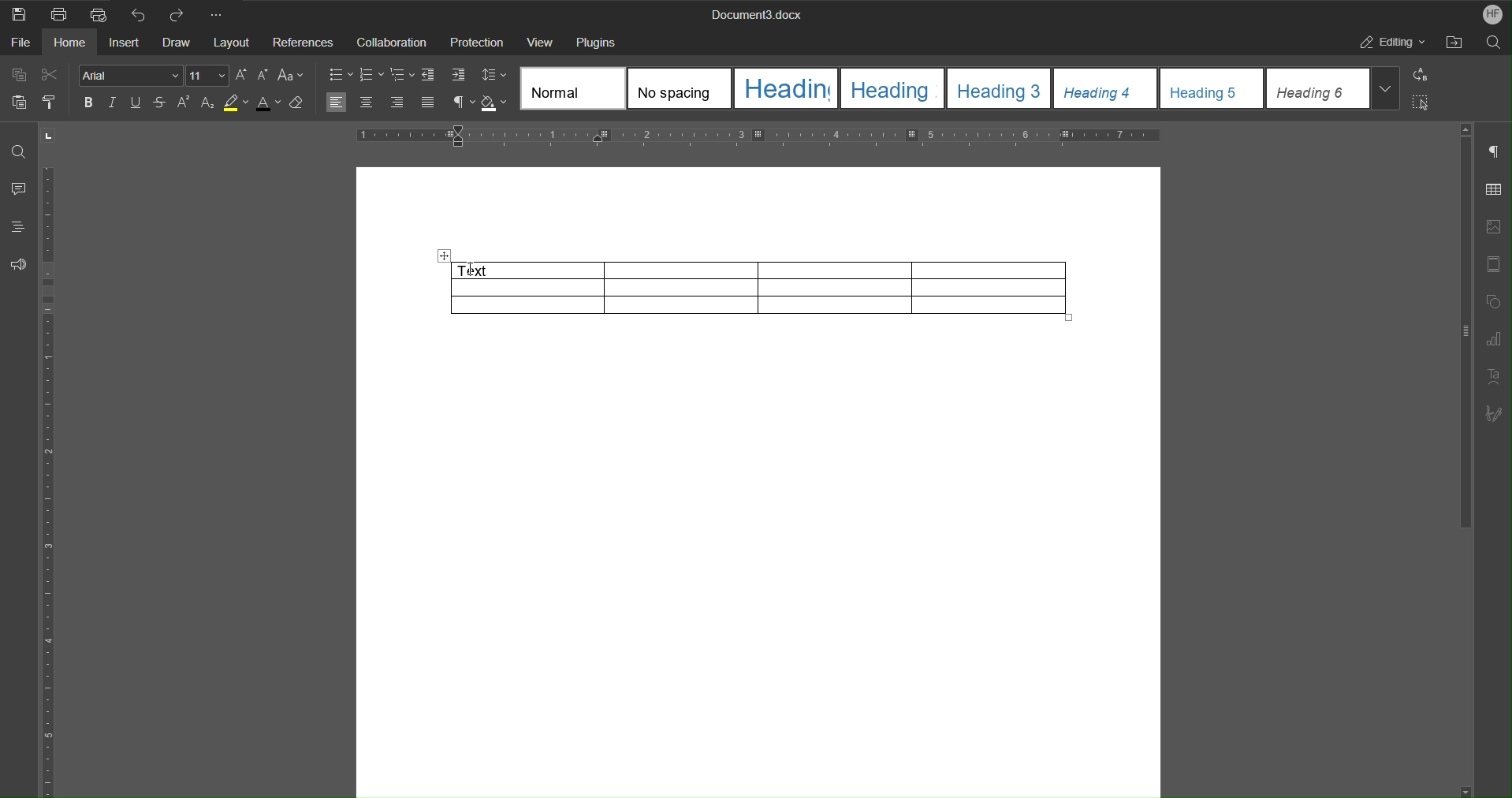 The image size is (1512, 798). Describe the element at coordinates (97, 13) in the screenshot. I see `Quick Print` at that location.